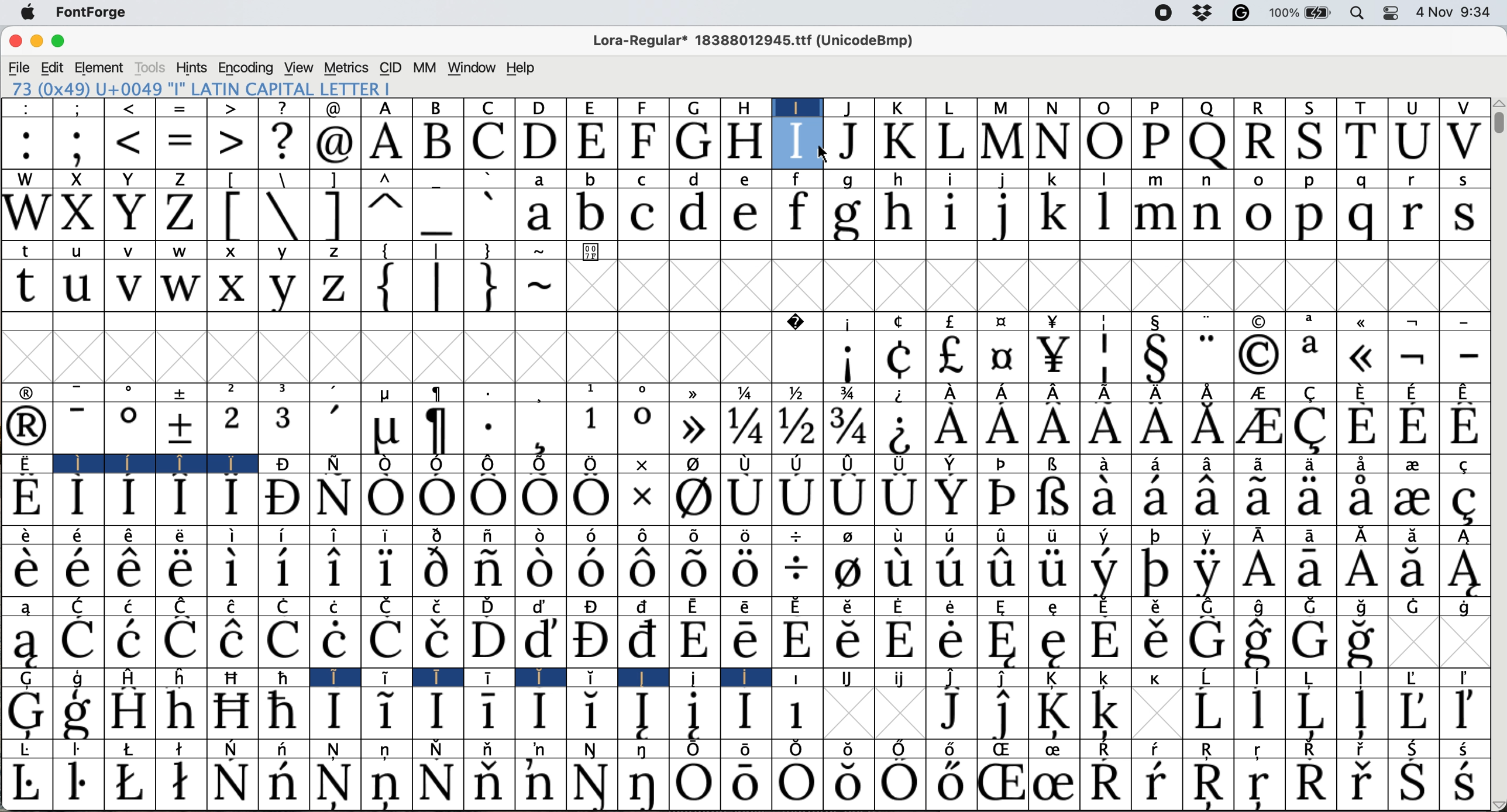 The height and width of the screenshot is (812, 1507). I want to click on r, so click(1412, 215).